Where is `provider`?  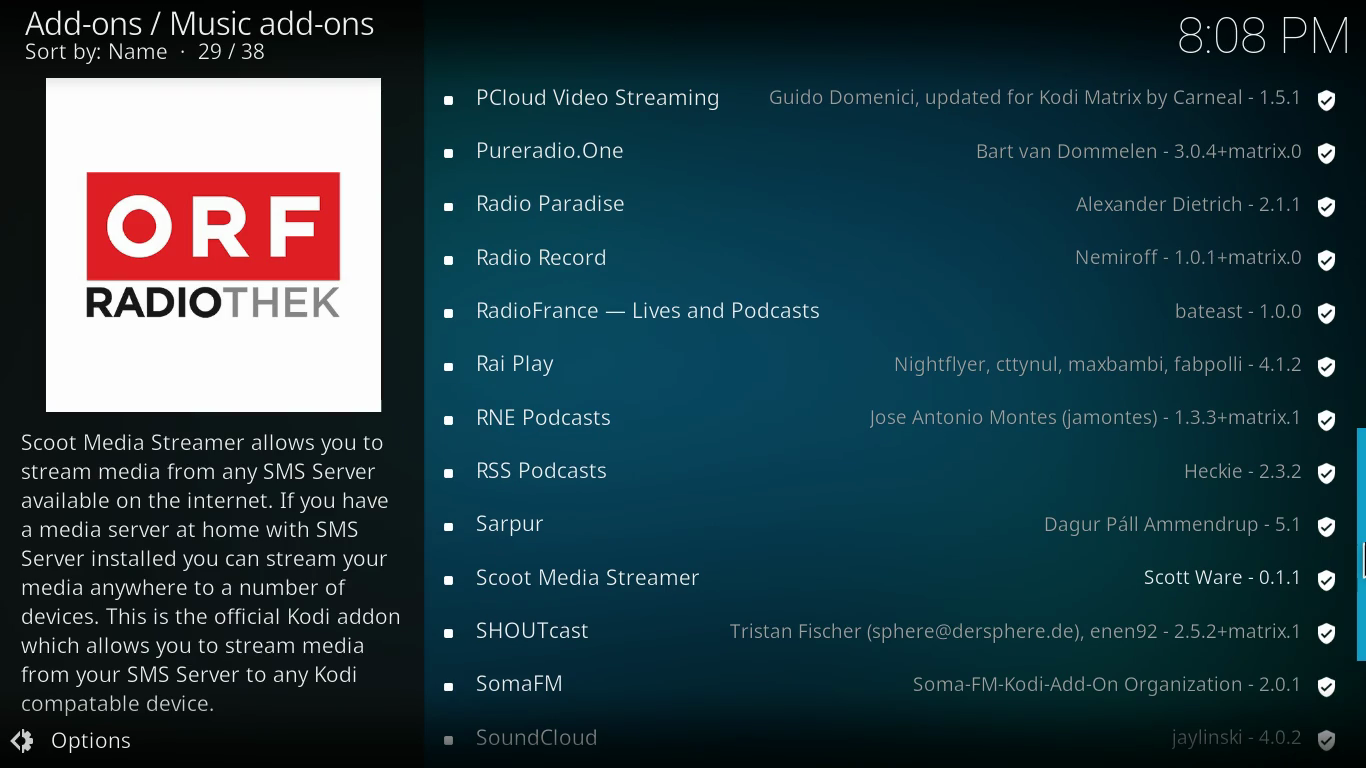 provider is located at coordinates (1254, 737).